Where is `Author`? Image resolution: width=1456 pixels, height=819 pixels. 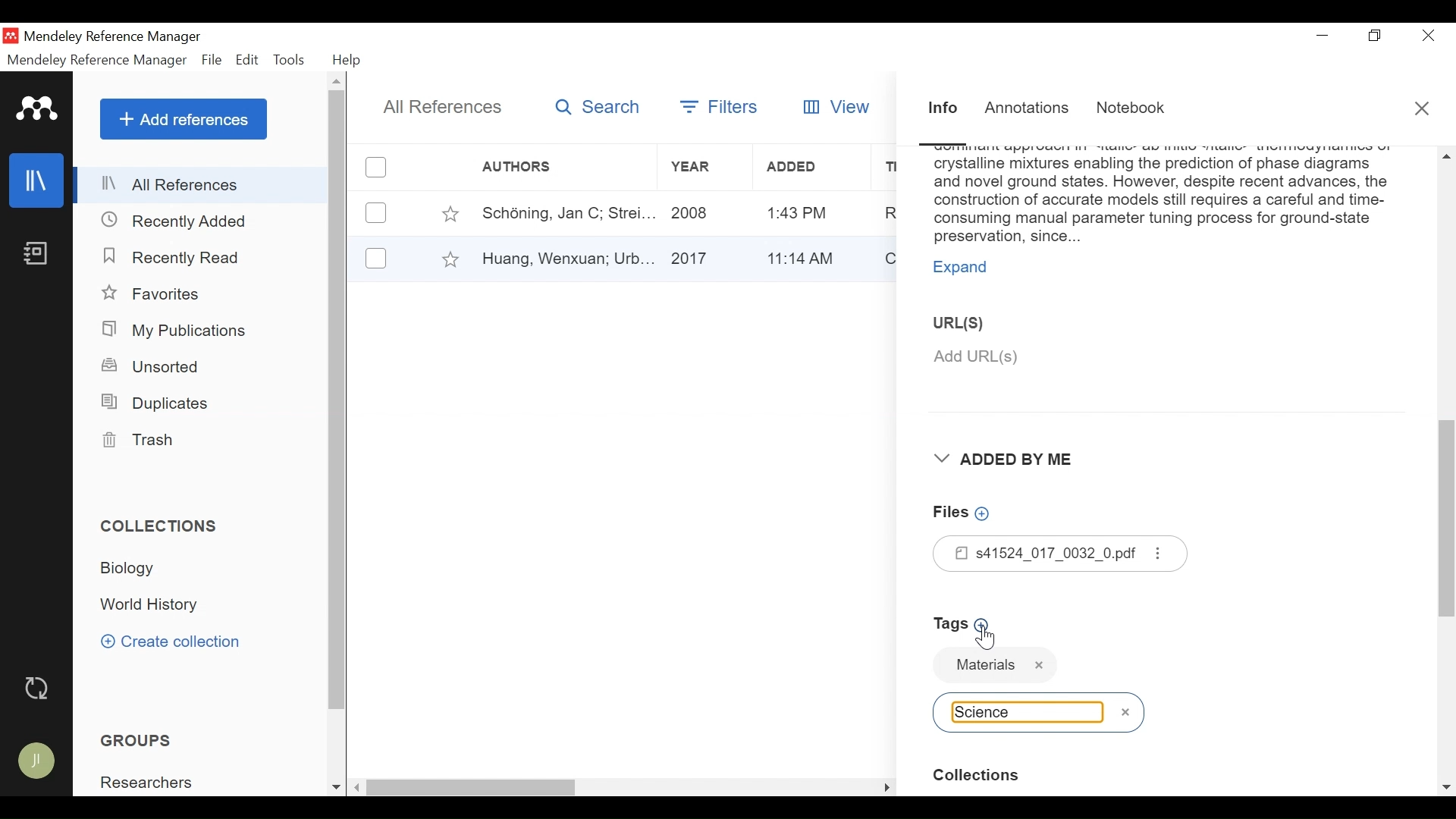 Author is located at coordinates (542, 167).